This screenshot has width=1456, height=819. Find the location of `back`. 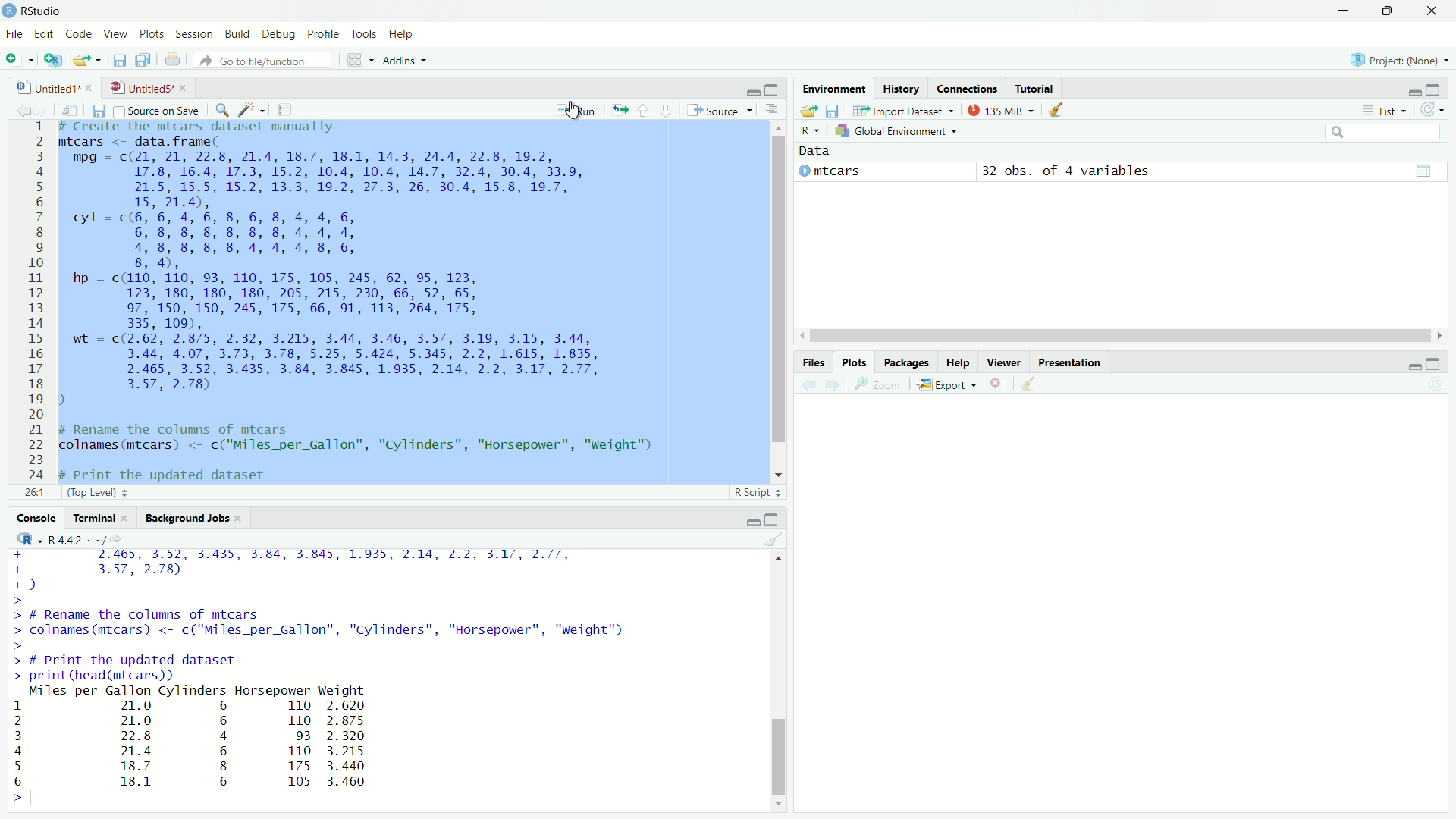

back is located at coordinates (21, 110).